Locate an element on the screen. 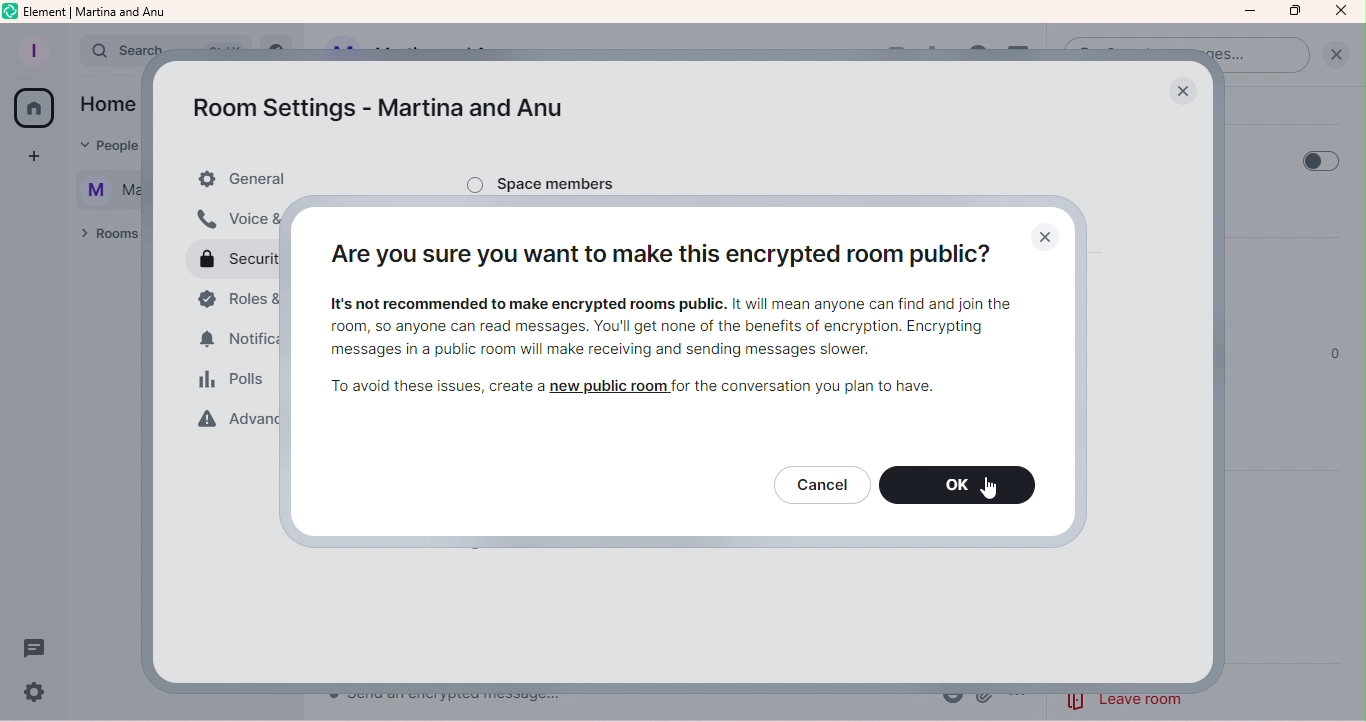 Image resolution: width=1366 pixels, height=722 pixels. text is located at coordinates (109, 165).